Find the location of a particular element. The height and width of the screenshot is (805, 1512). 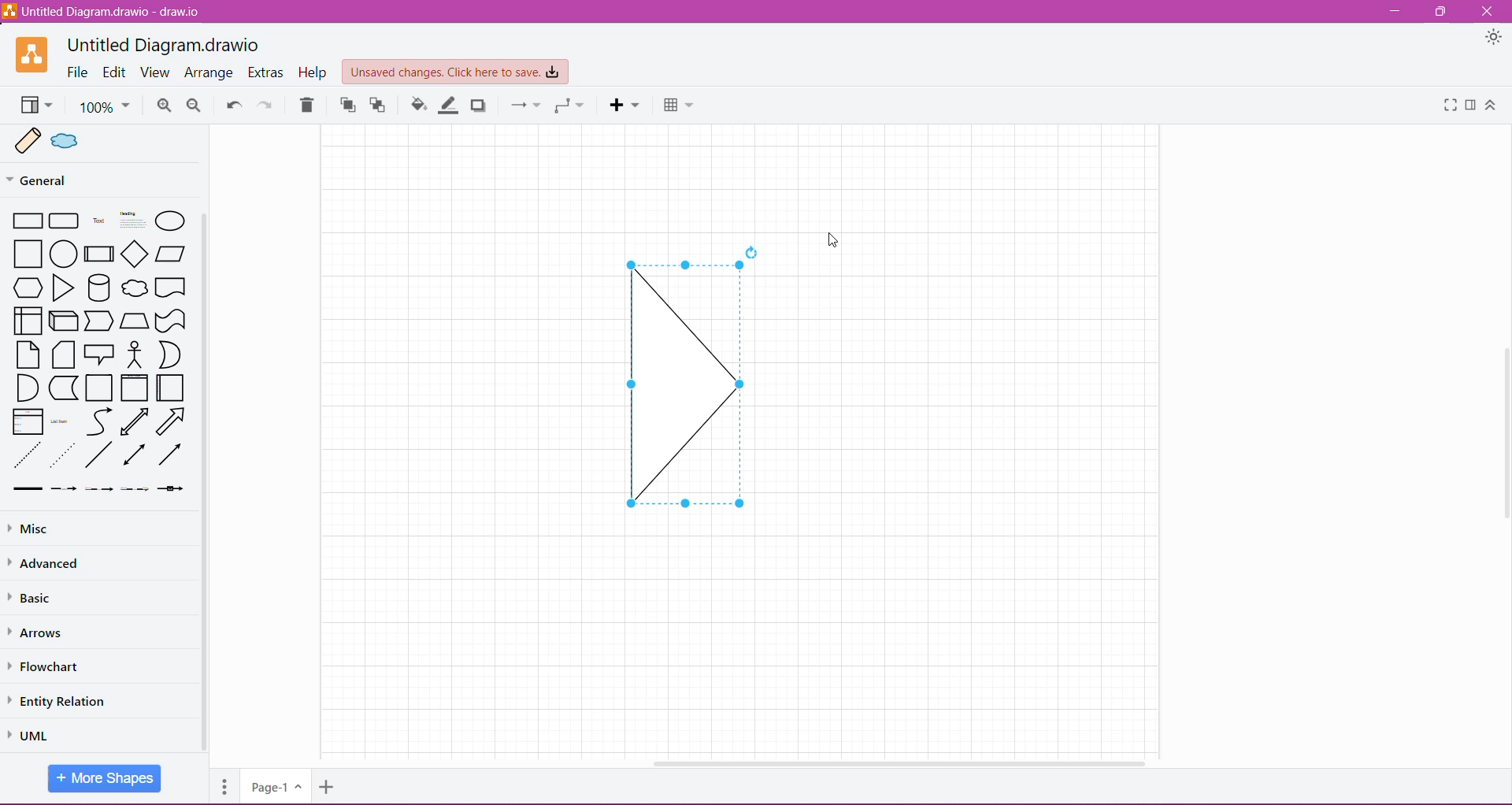

View is located at coordinates (35, 106).